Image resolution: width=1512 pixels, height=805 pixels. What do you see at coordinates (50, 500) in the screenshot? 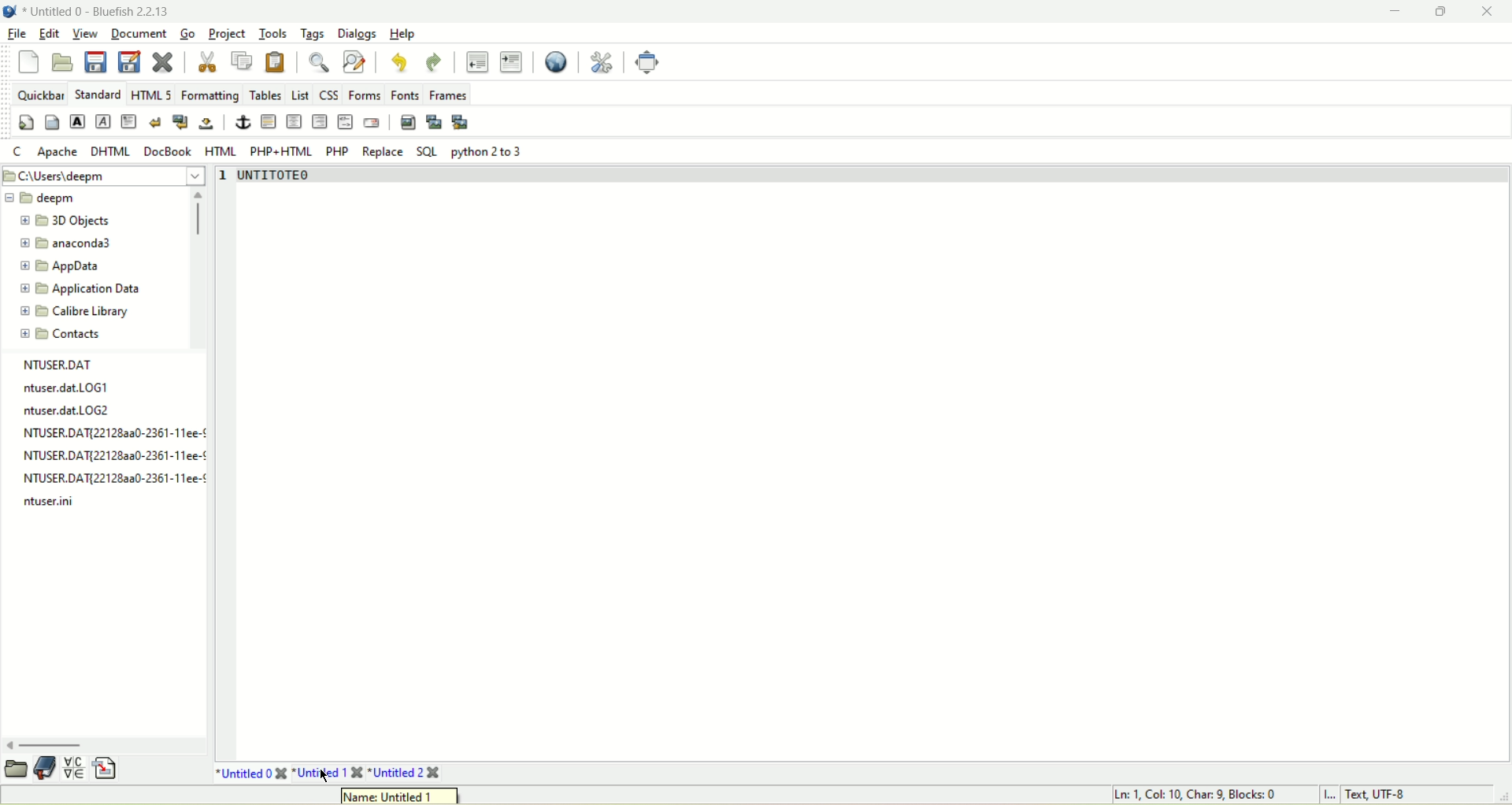
I see `log` at bounding box center [50, 500].